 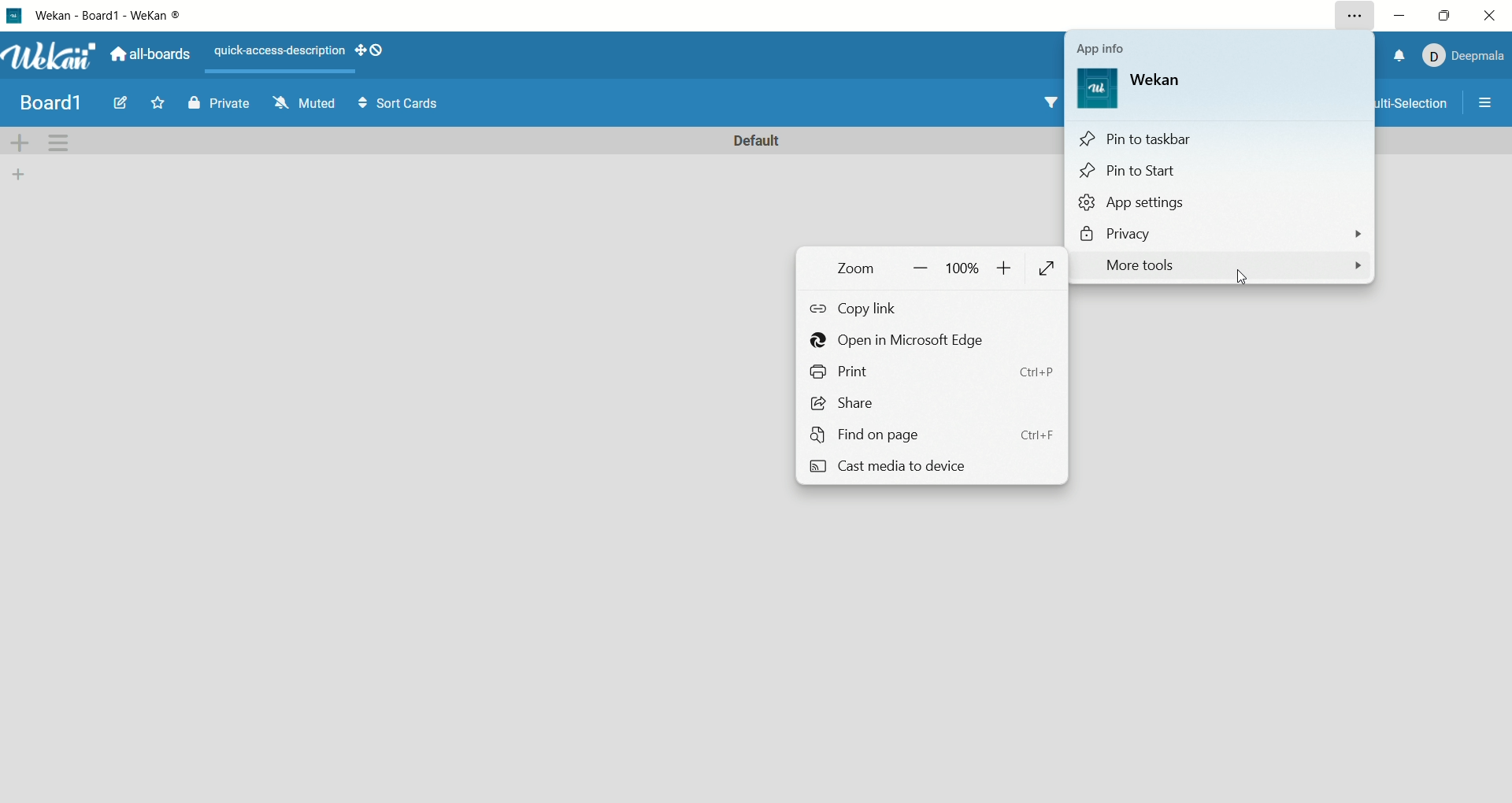 I want to click on share, so click(x=925, y=402).